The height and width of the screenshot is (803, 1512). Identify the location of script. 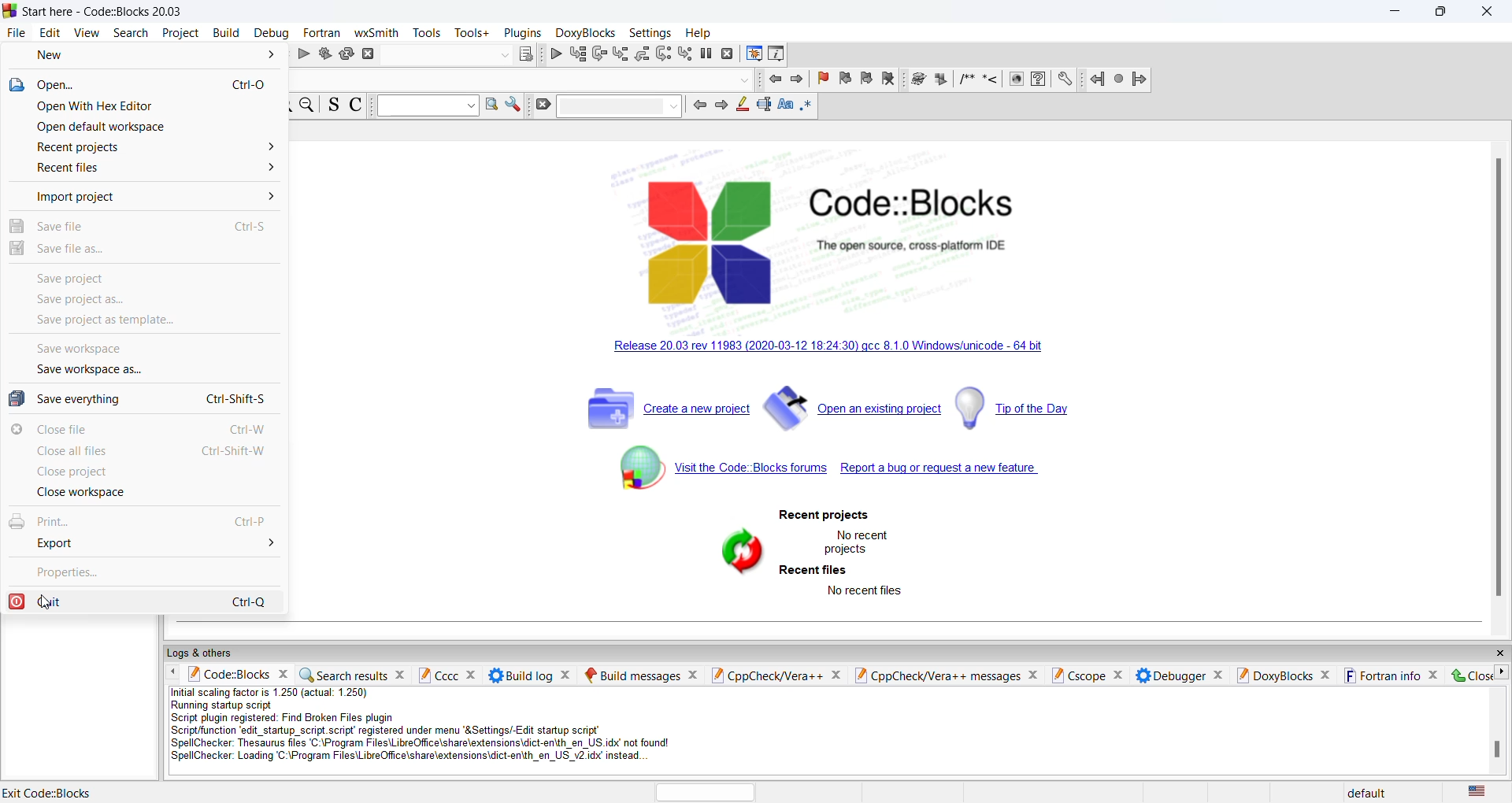
(441, 728).